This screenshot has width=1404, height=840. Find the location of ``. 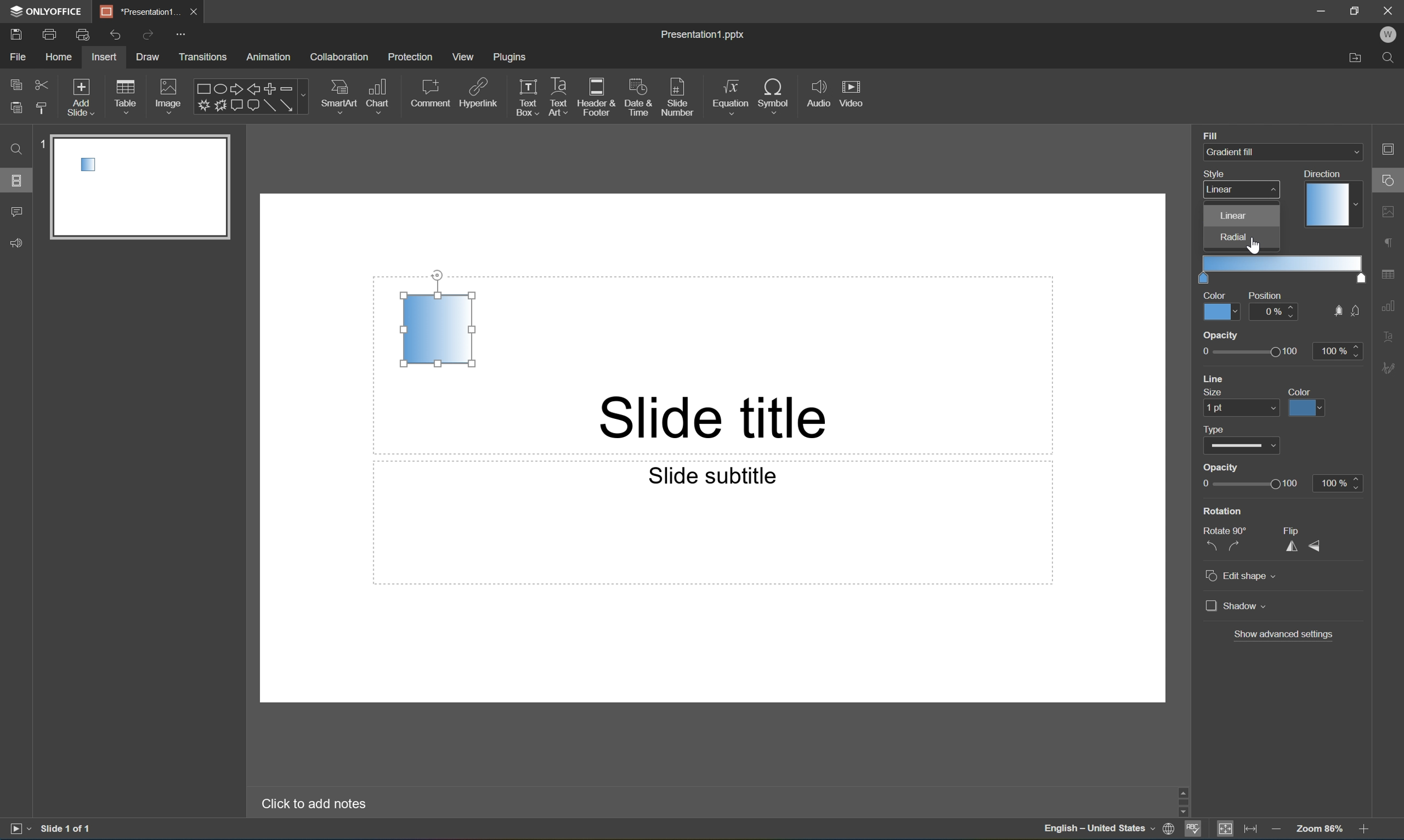

 is located at coordinates (1336, 310).